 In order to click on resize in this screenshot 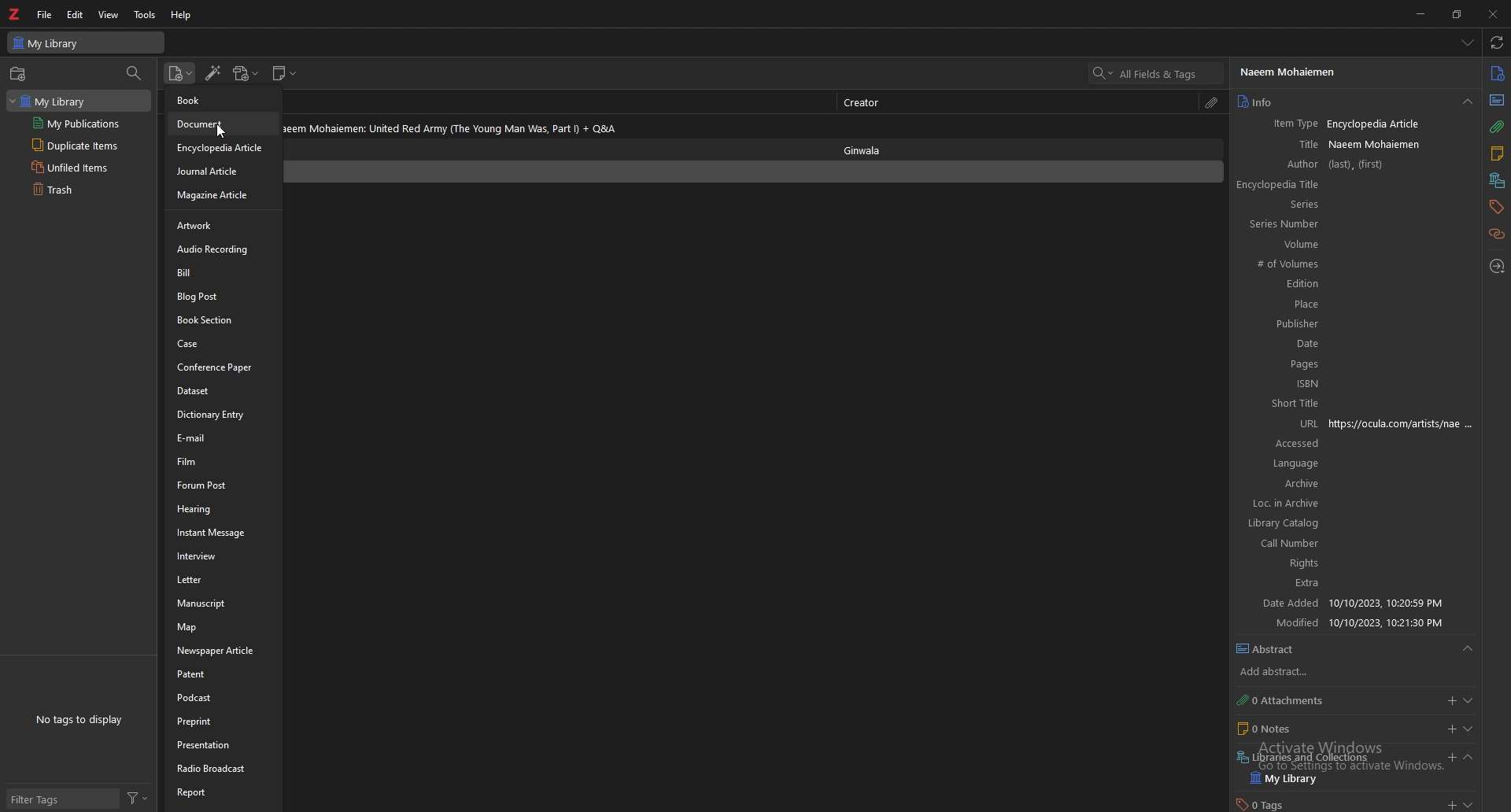, I will do `click(1459, 13)`.